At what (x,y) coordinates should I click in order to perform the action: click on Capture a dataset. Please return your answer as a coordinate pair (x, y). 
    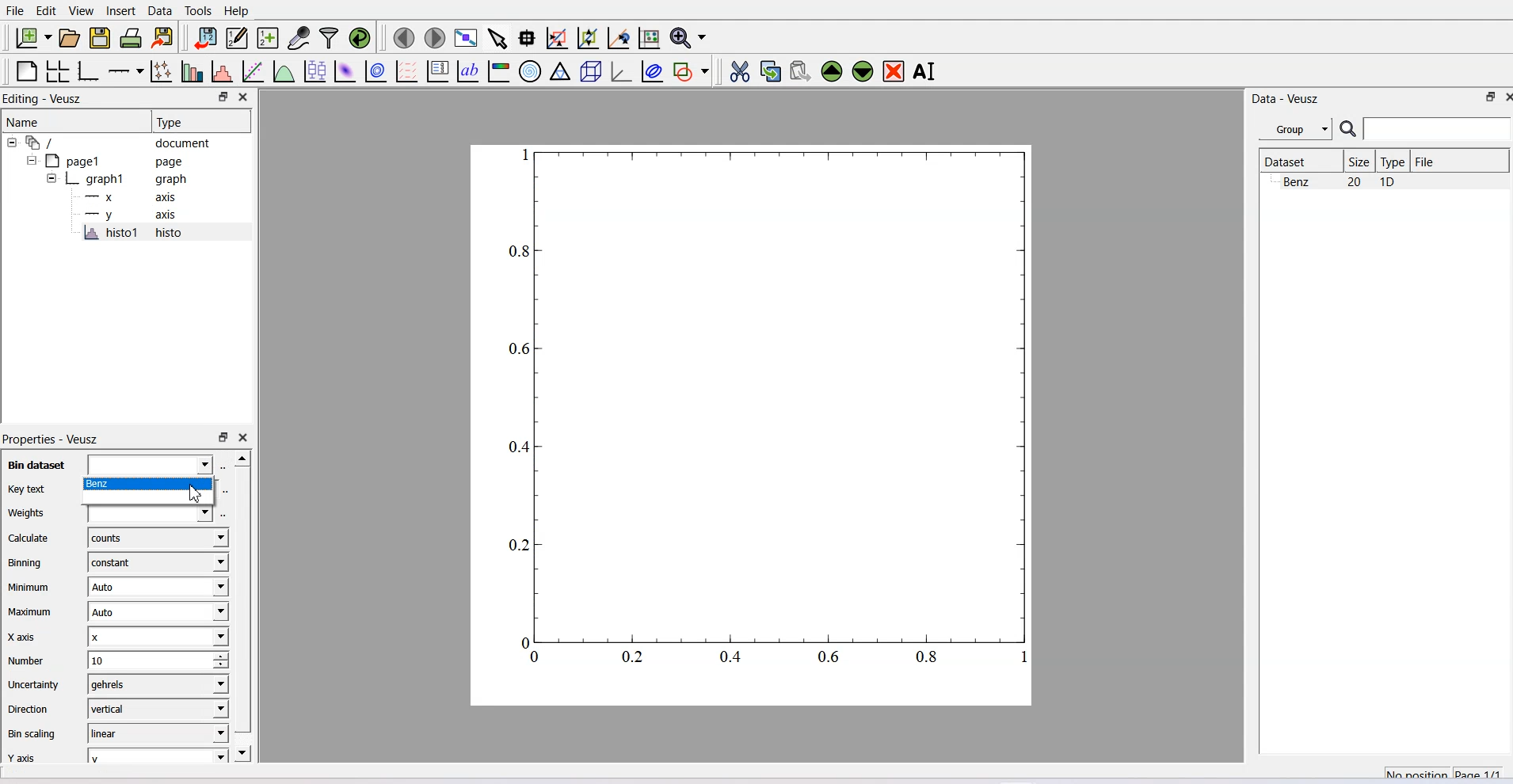
    Looking at the image, I should click on (299, 37).